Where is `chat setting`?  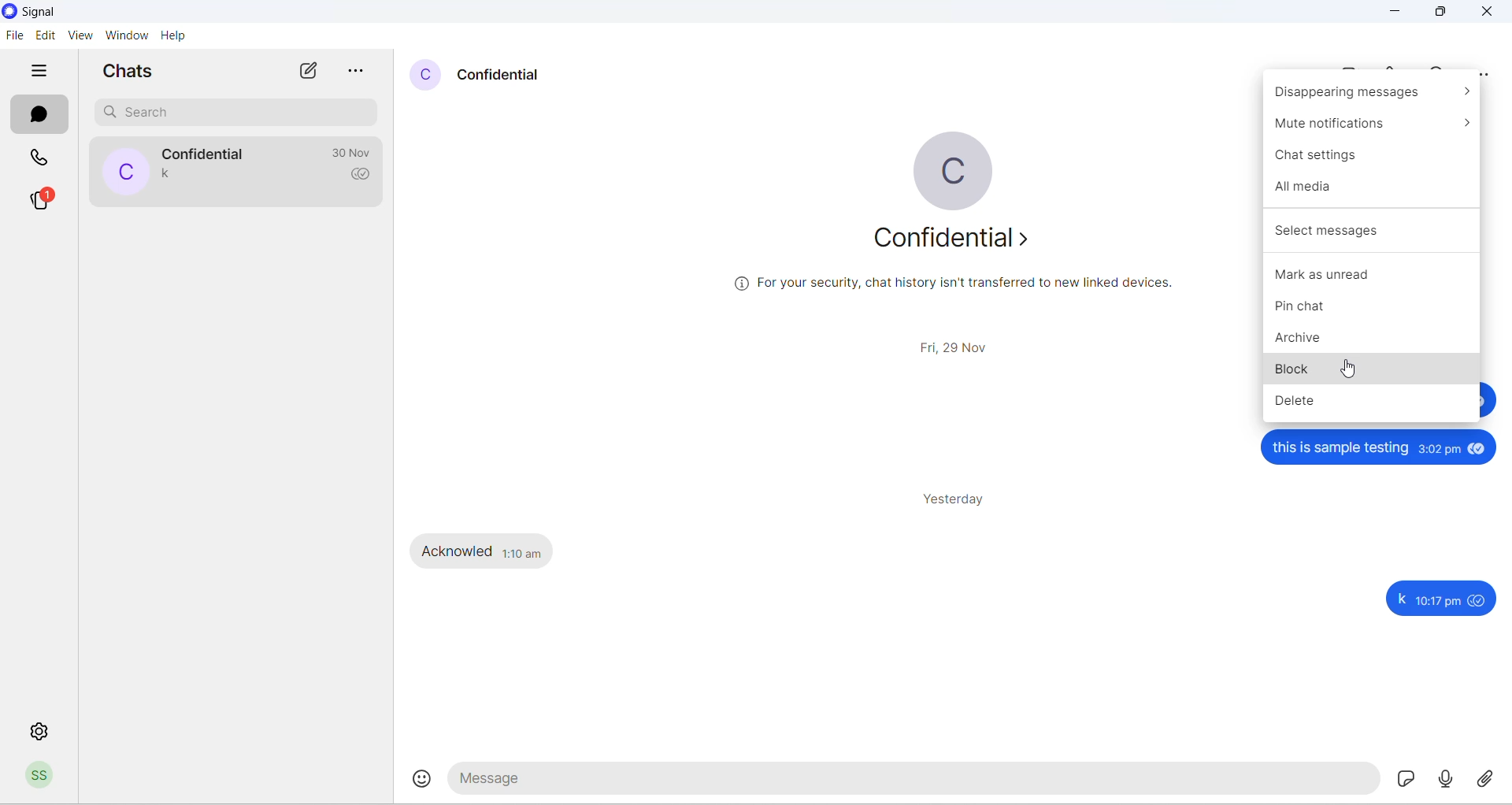
chat setting is located at coordinates (1372, 157).